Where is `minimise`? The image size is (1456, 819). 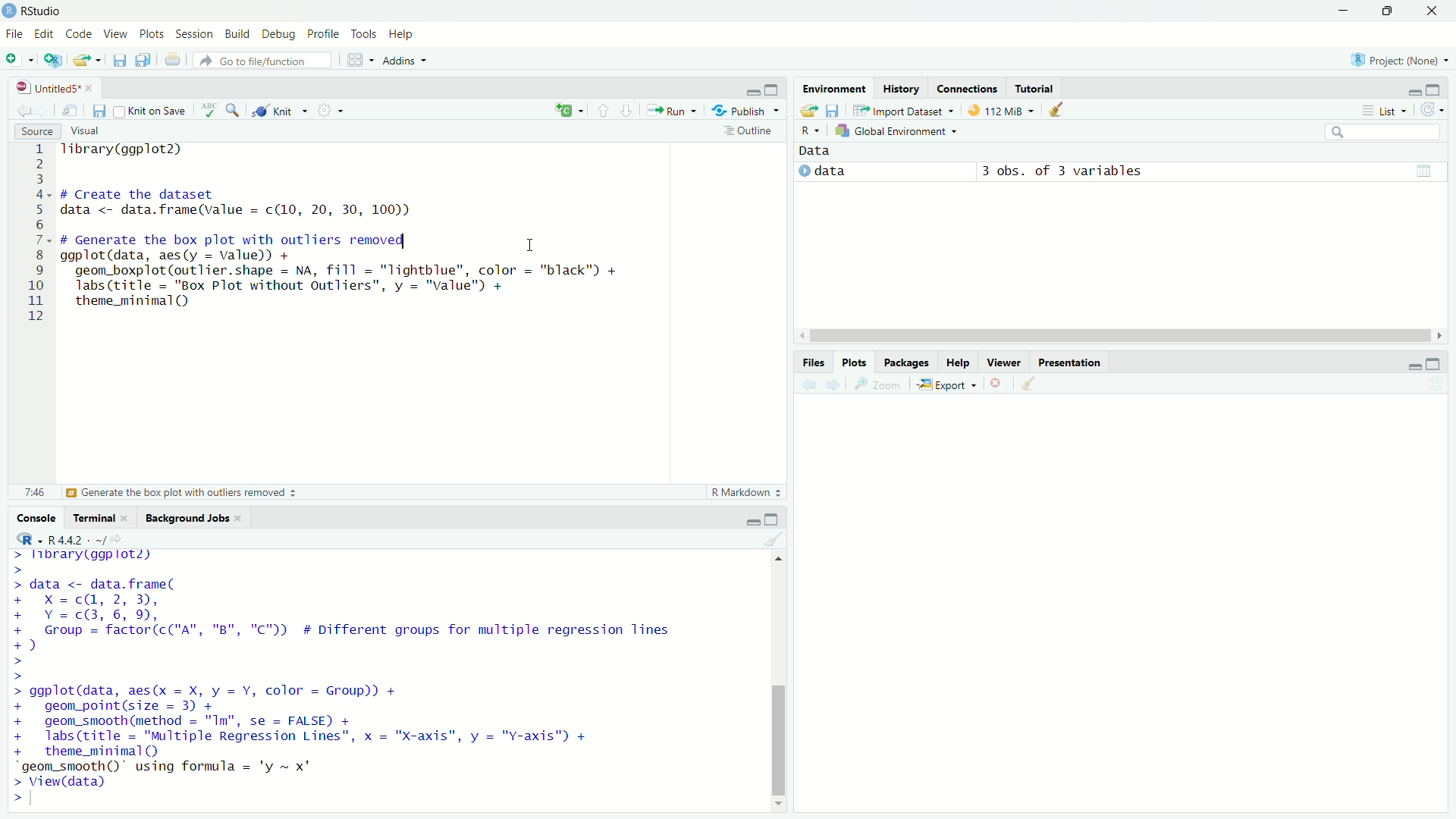
minimise is located at coordinates (1407, 369).